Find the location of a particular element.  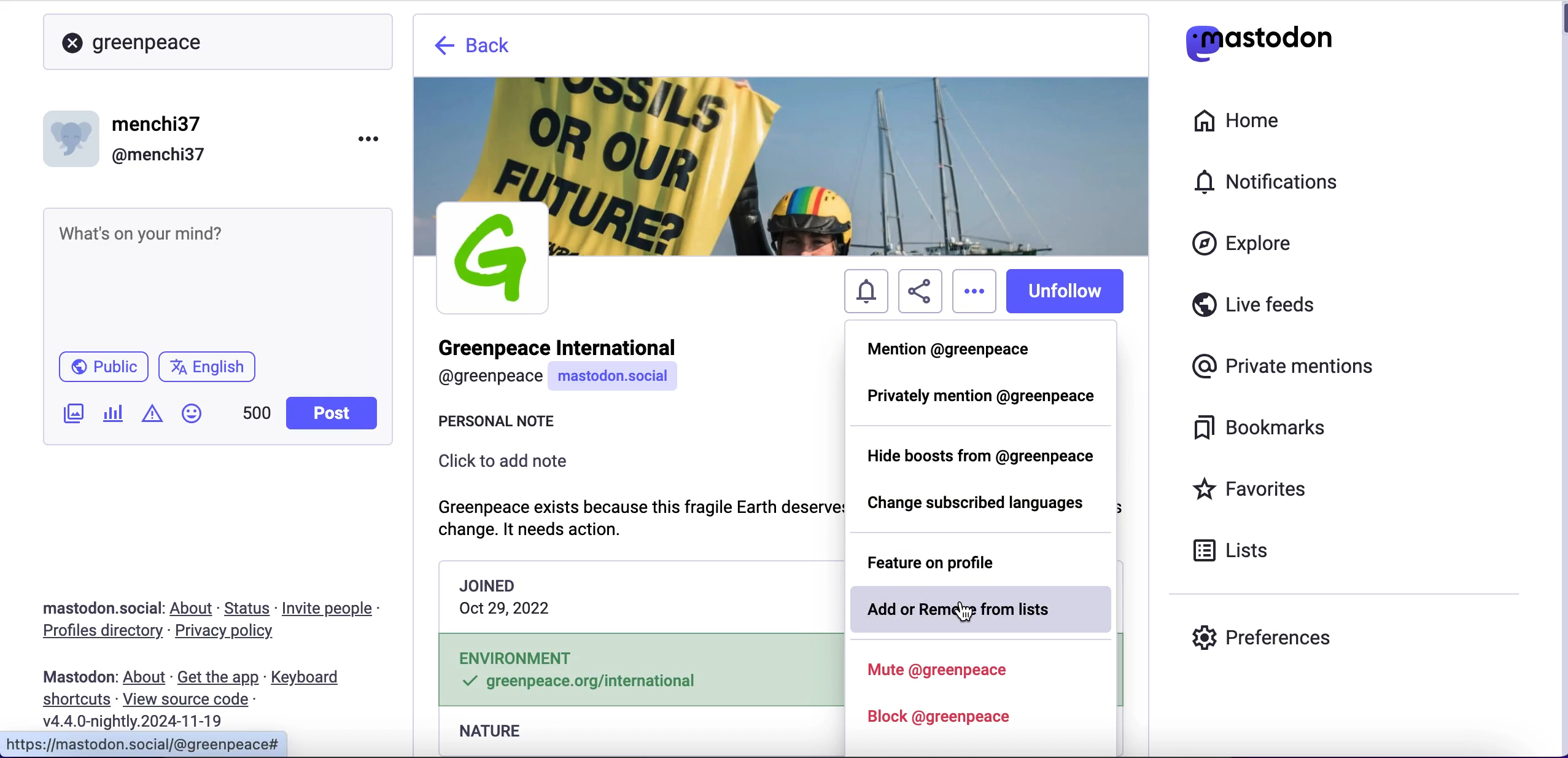

shortcuts is located at coordinates (72, 700).